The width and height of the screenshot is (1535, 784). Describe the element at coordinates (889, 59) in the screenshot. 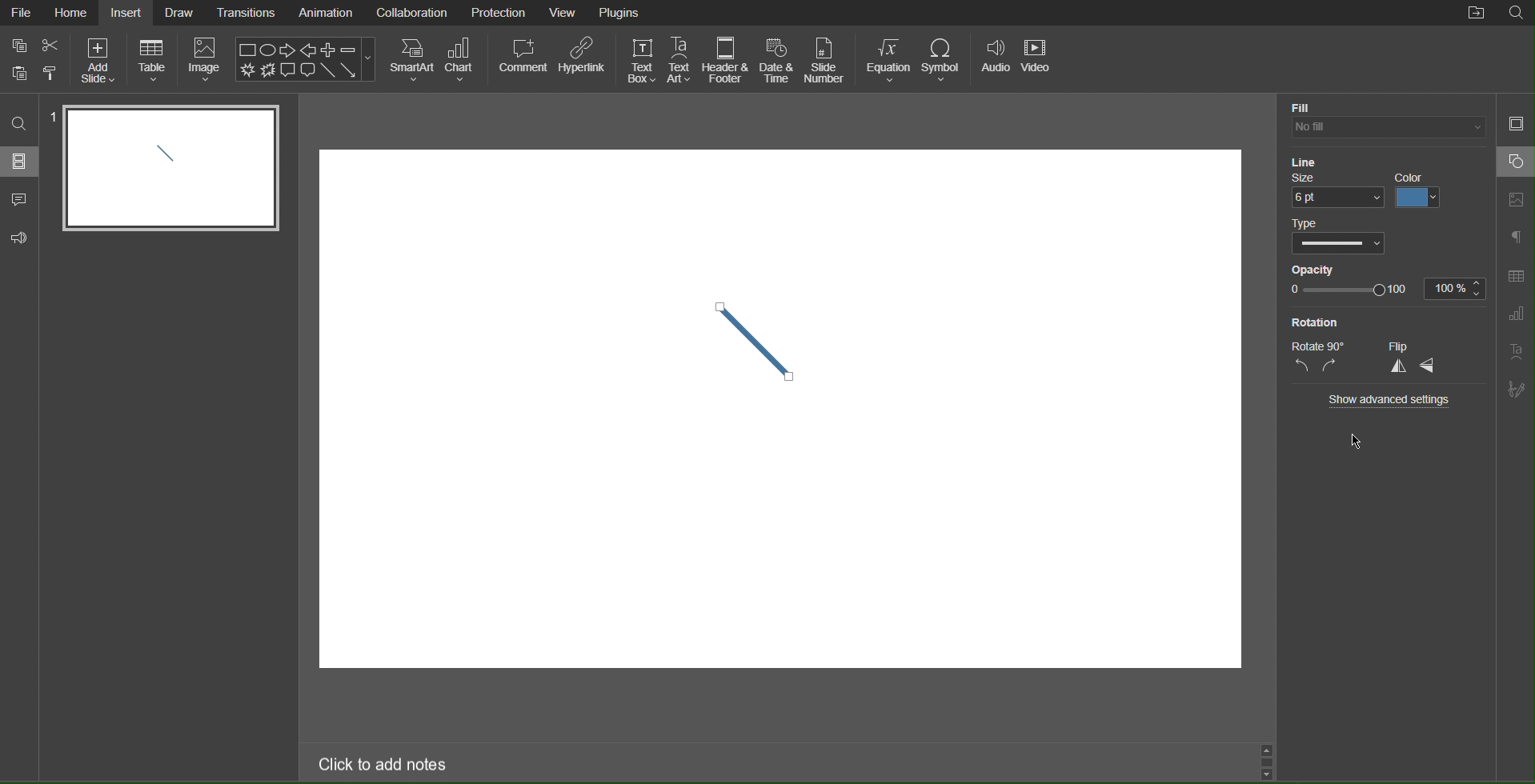

I see `Equation` at that location.